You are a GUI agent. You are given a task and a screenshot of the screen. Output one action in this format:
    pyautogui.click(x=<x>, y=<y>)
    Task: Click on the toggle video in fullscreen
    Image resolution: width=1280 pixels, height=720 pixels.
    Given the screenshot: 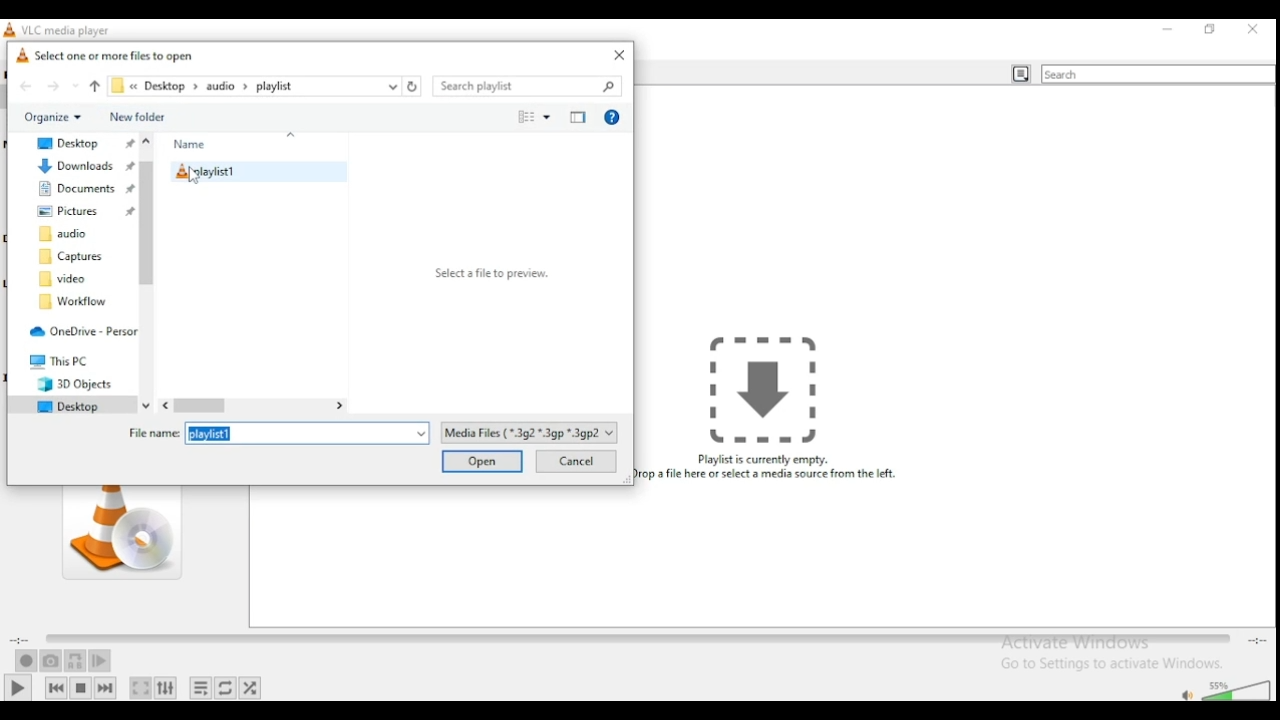 What is the action you would take?
    pyautogui.click(x=140, y=689)
    